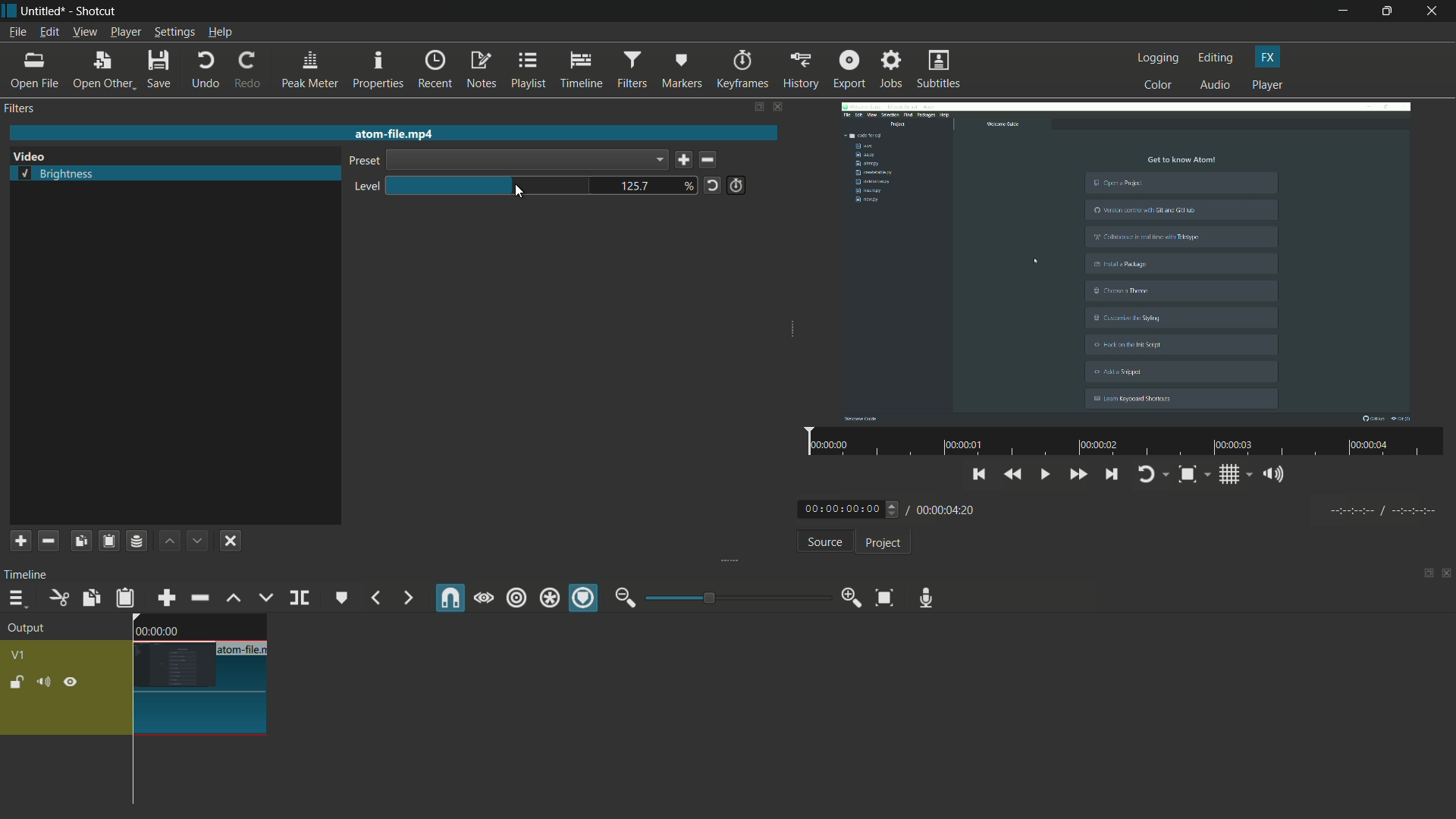  I want to click on timeline, so click(29, 574).